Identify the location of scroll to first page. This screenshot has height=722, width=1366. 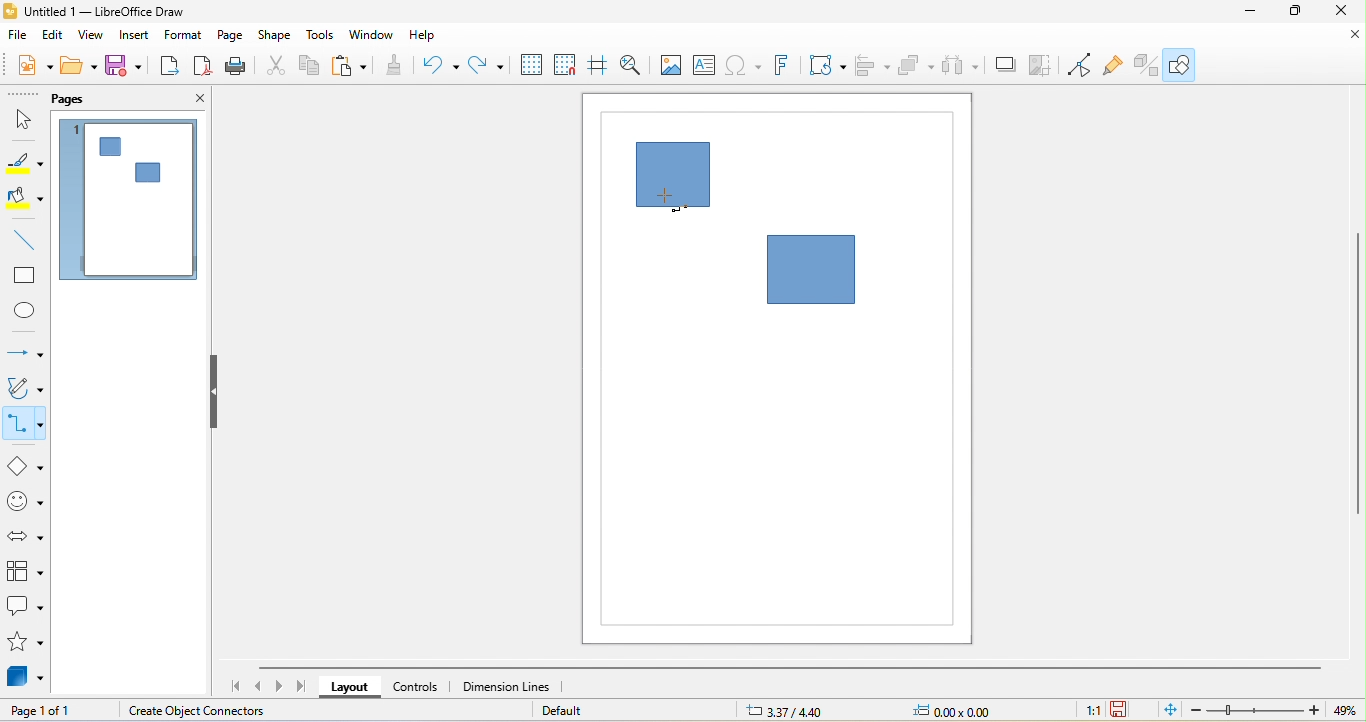
(231, 687).